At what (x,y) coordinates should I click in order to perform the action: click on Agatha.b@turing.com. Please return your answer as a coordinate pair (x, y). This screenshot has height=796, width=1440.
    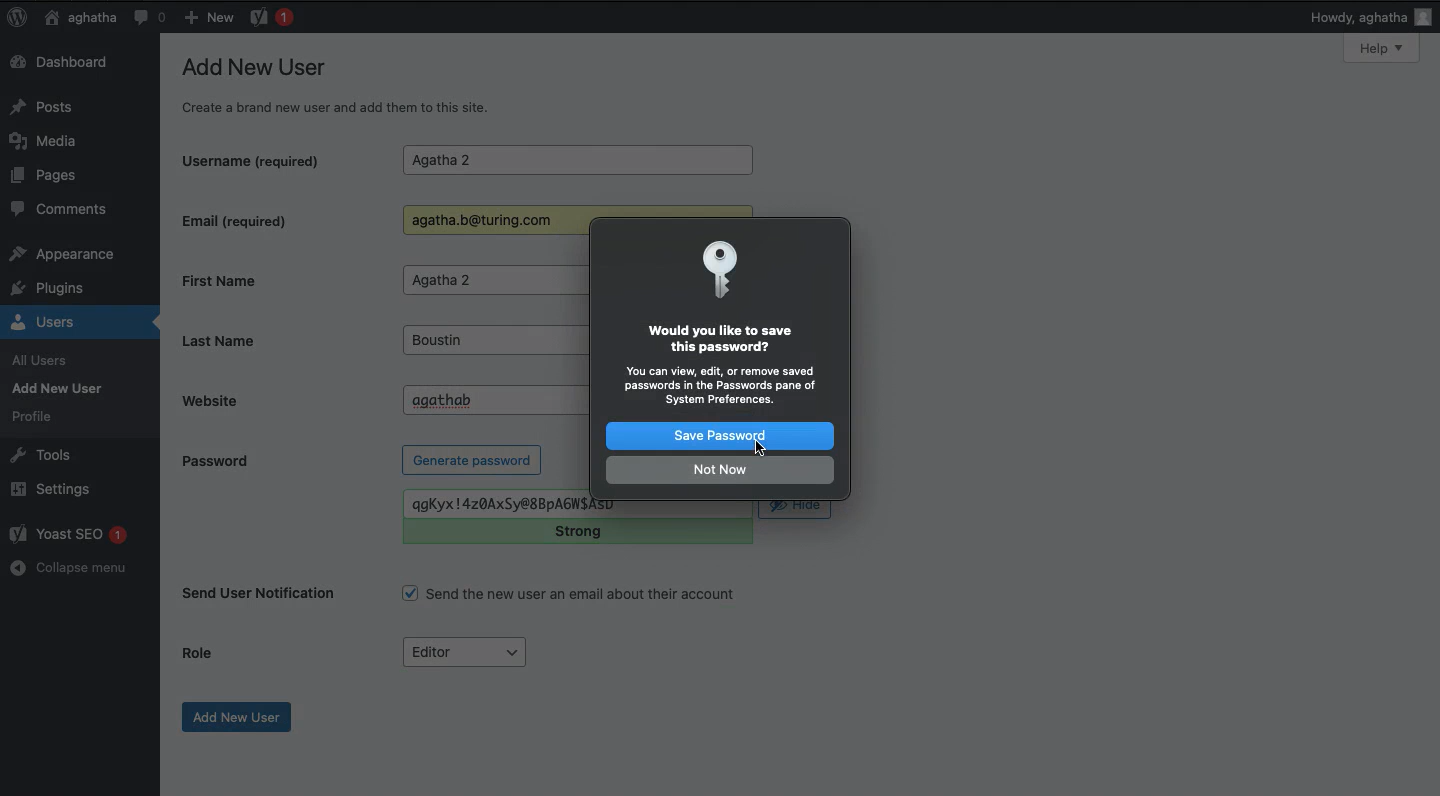
    Looking at the image, I should click on (486, 221).